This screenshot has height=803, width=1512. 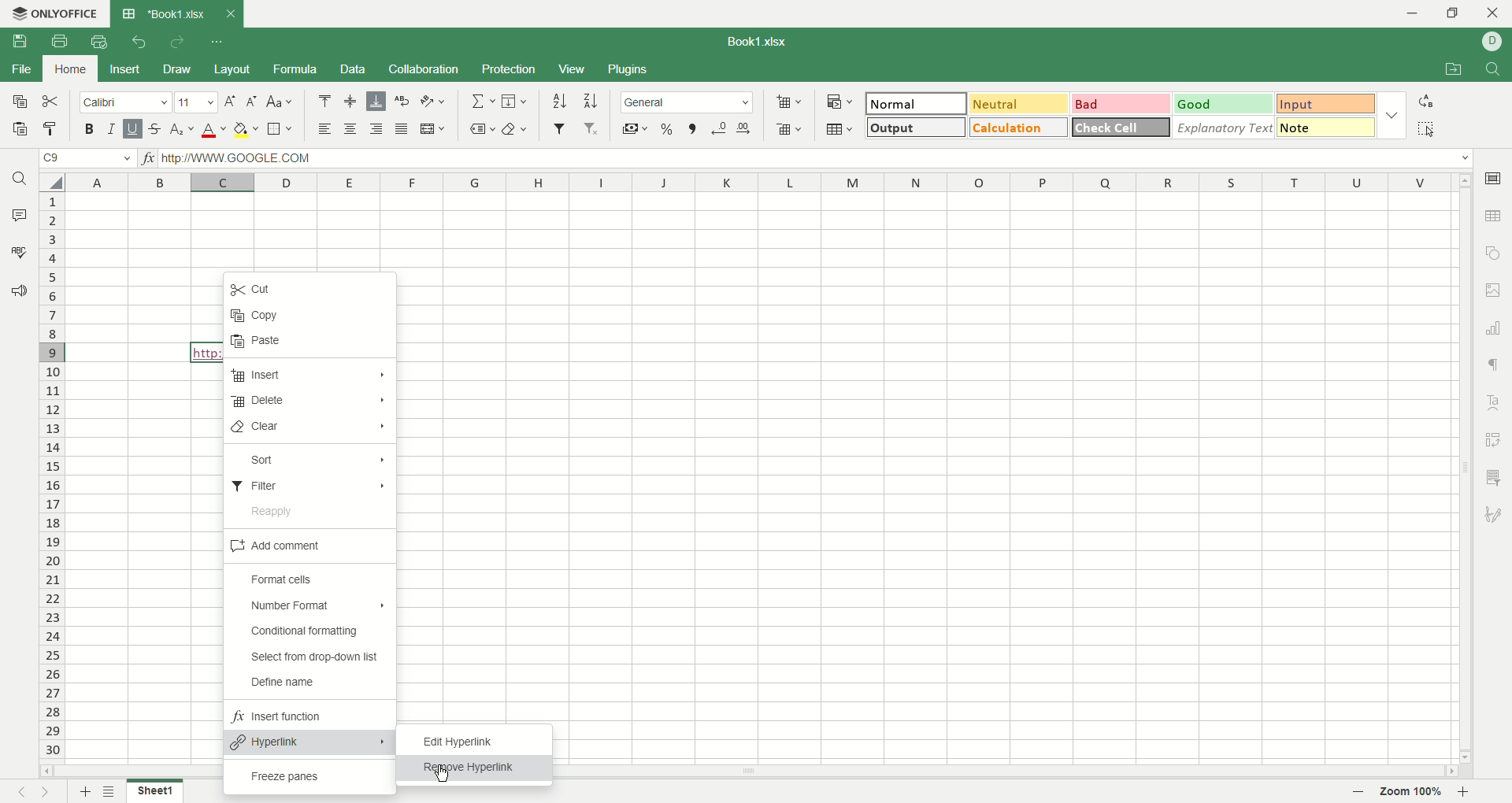 I want to click on font name, so click(x=126, y=104).